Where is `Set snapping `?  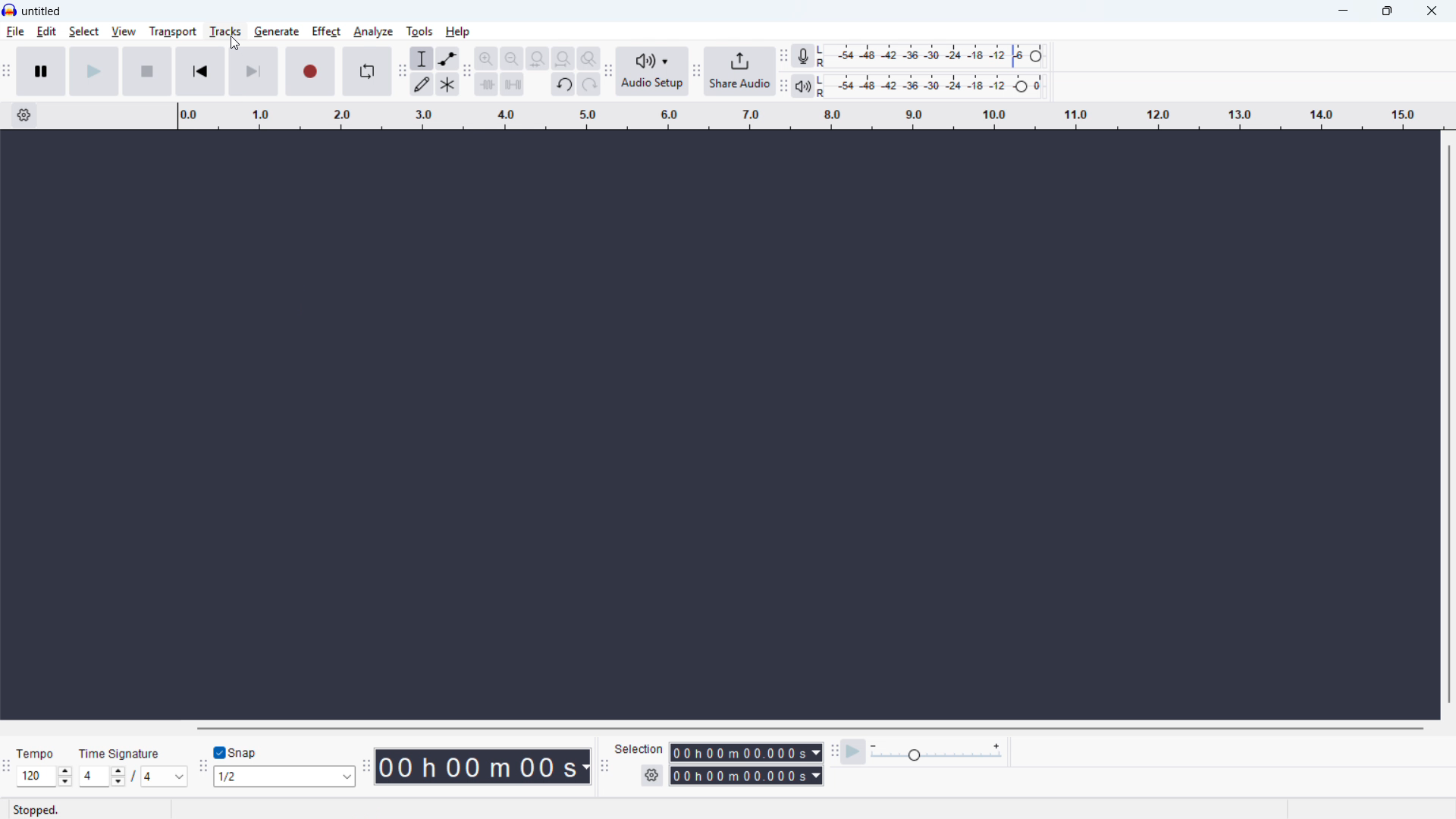
Set snapping  is located at coordinates (285, 777).